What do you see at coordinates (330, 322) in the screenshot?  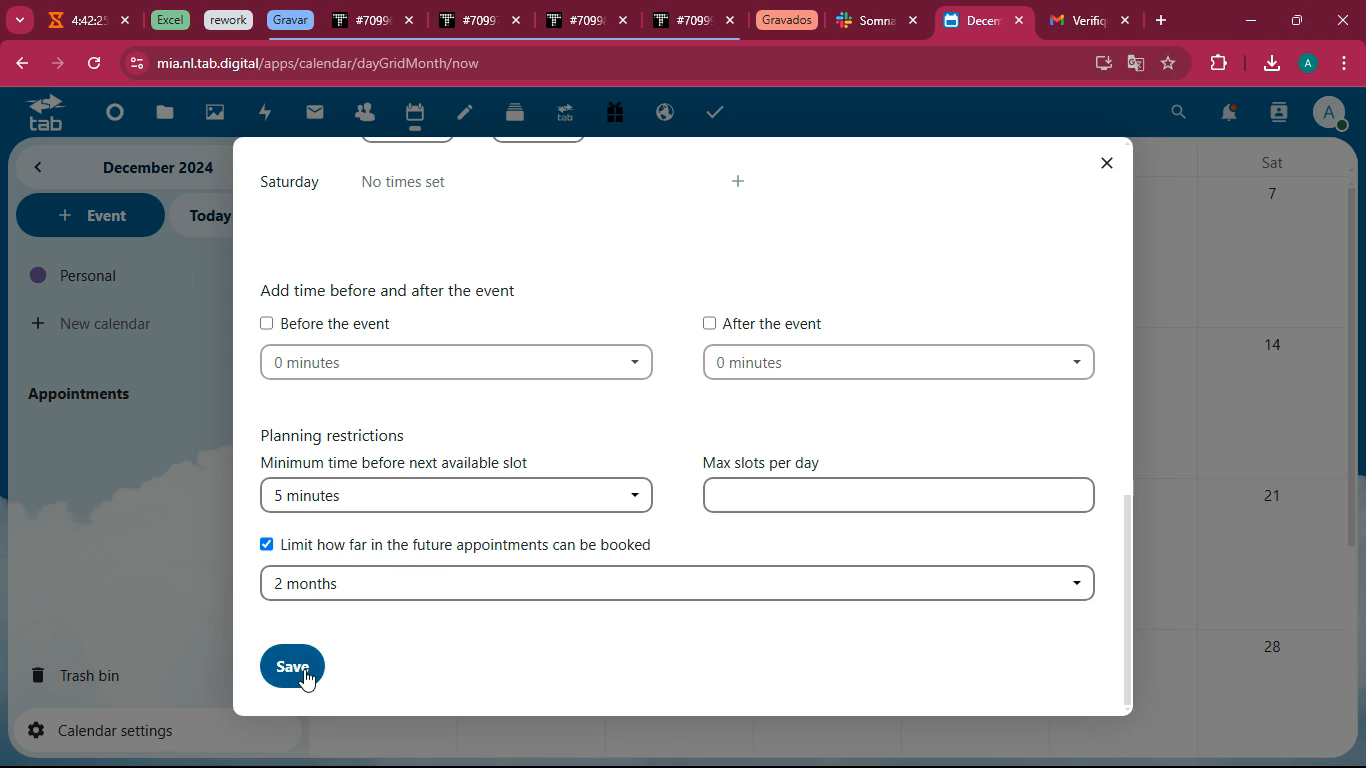 I see `before the event` at bounding box center [330, 322].